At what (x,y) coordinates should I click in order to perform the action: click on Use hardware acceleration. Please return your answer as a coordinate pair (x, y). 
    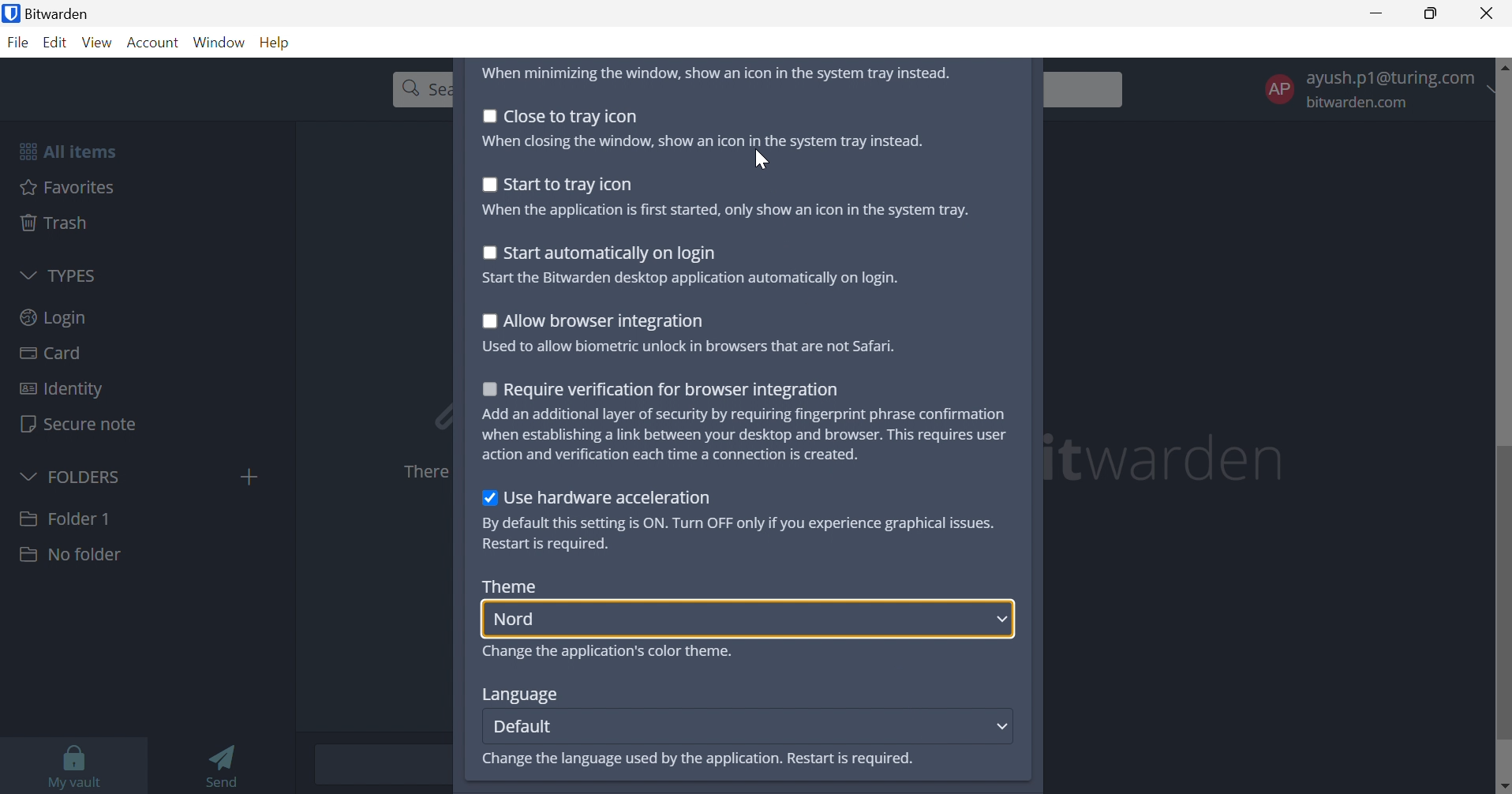
    Looking at the image, I should click on (608, 497).